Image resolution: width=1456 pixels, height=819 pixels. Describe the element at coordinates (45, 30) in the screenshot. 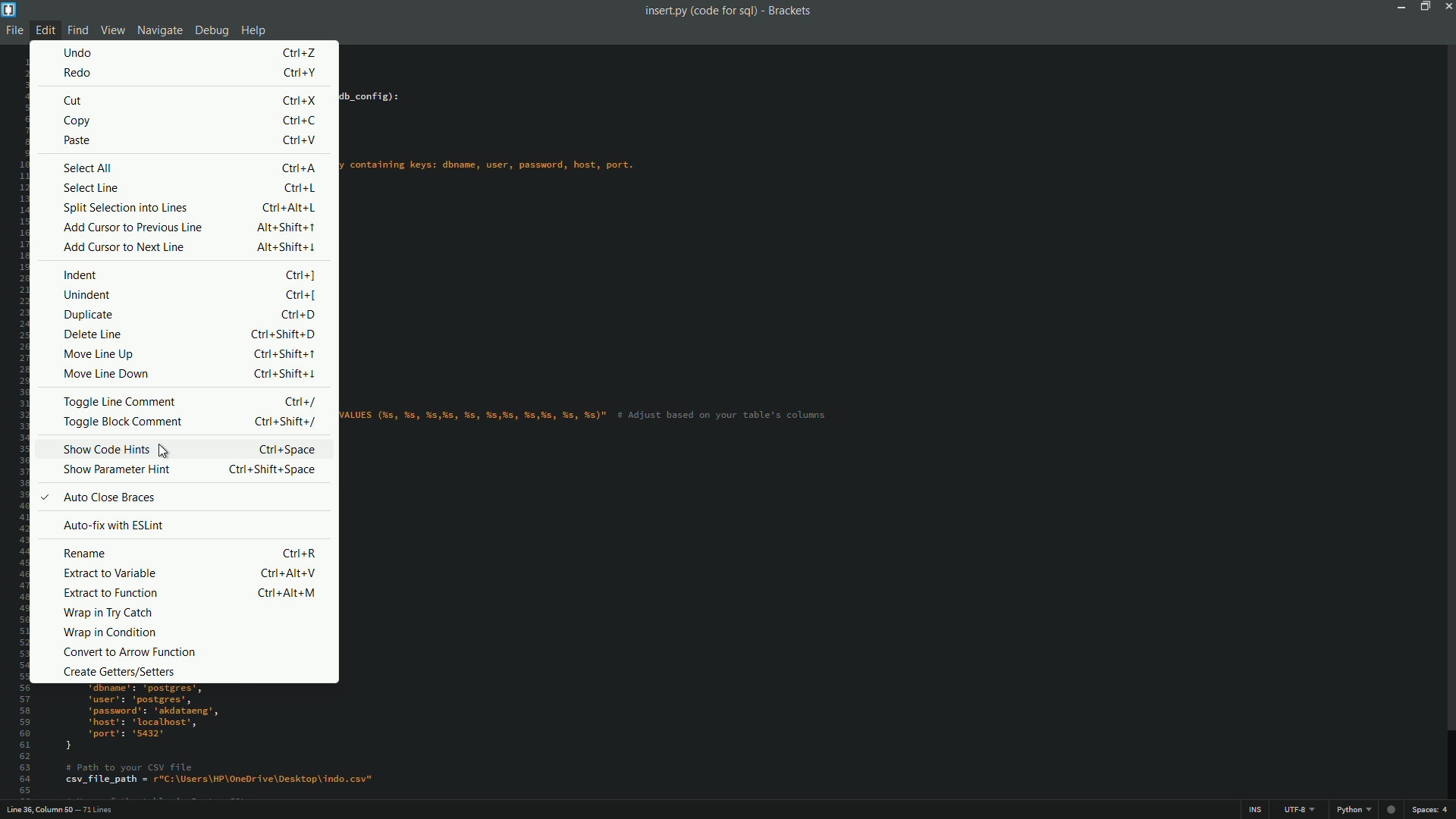

I see `edit menu` at that location.